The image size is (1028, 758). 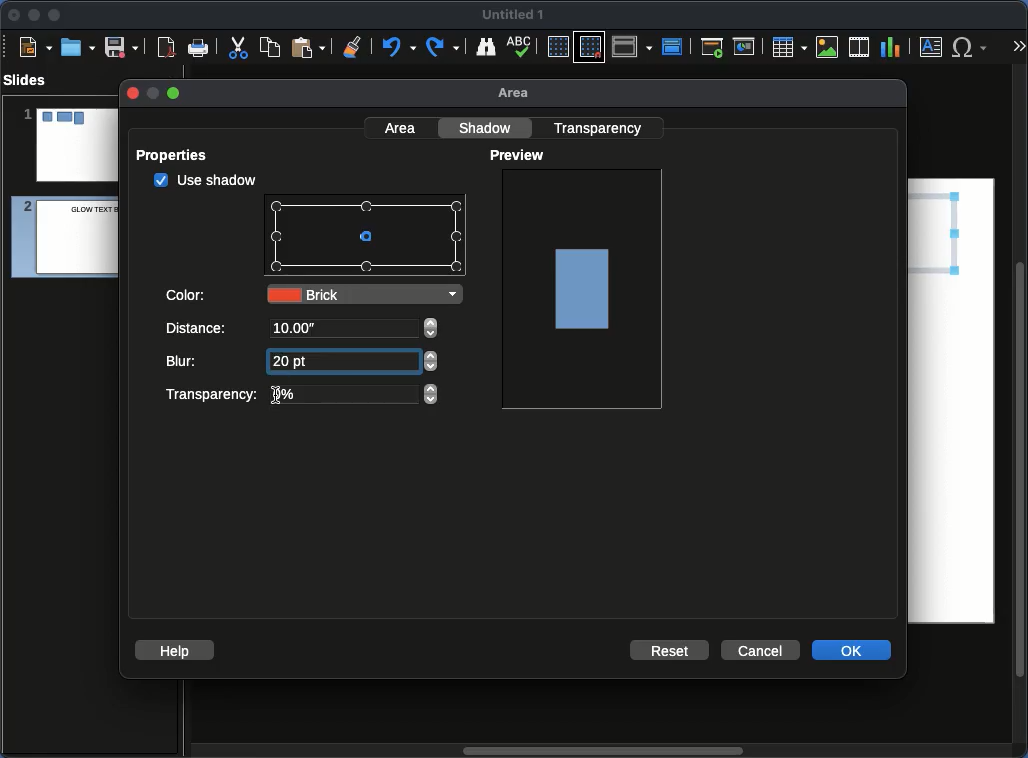 I want to click on Area, so click(x=402, y=127).